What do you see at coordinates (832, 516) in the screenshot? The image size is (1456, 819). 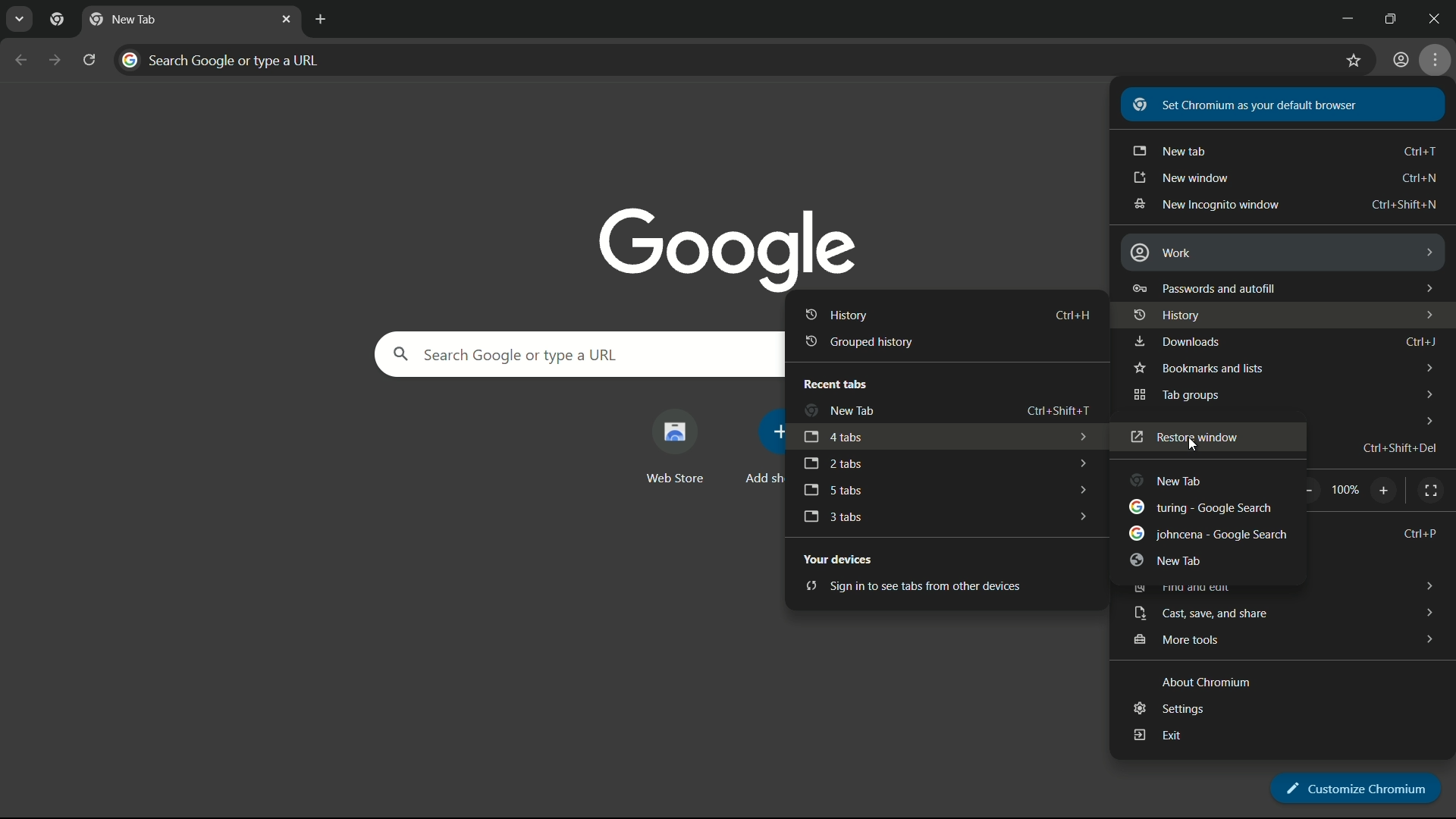 I see `3 tabs` at bounding box center [832, 516].